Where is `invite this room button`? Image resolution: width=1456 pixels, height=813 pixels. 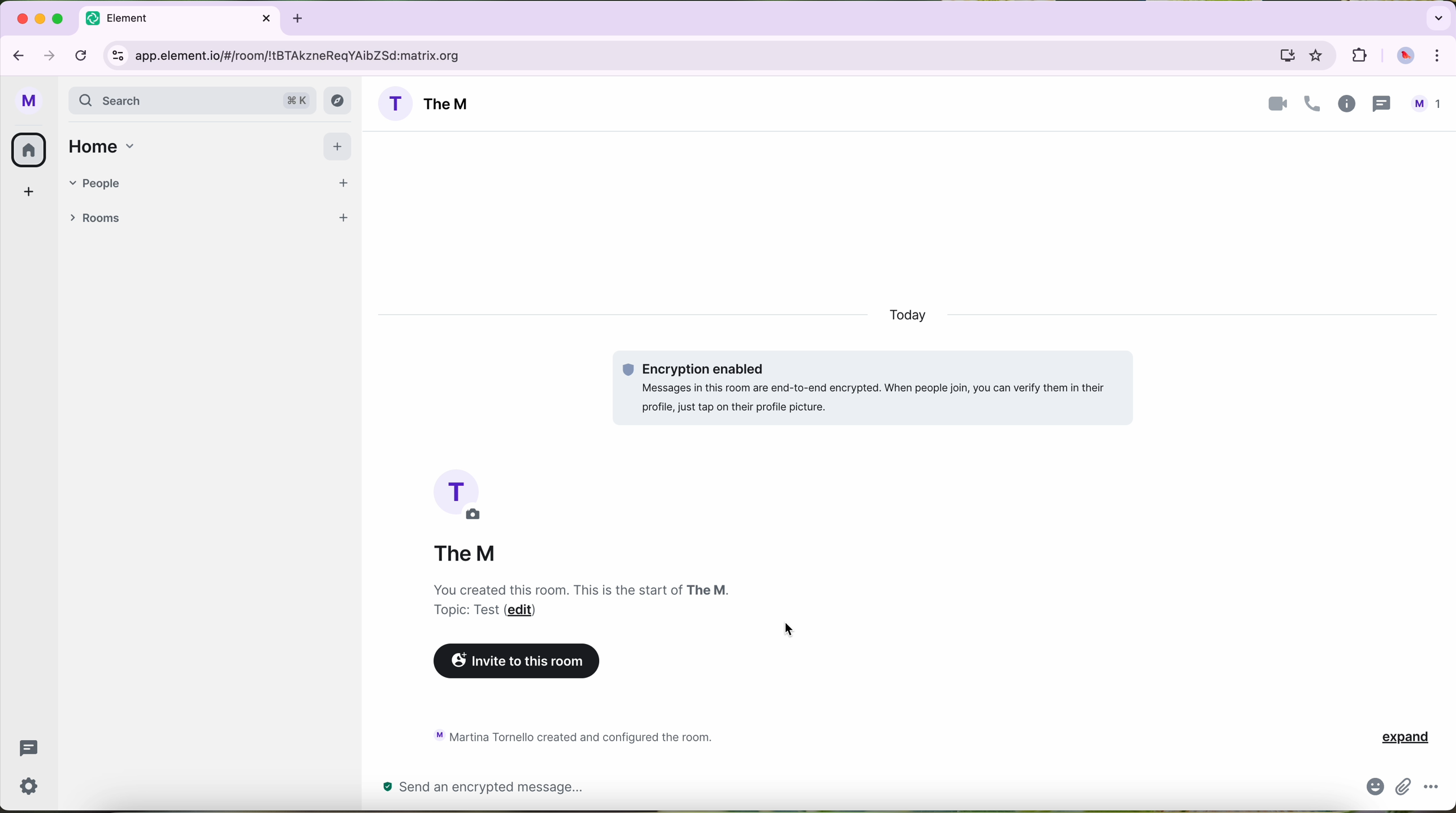
invite this room button is located at coordinates (515, 660).